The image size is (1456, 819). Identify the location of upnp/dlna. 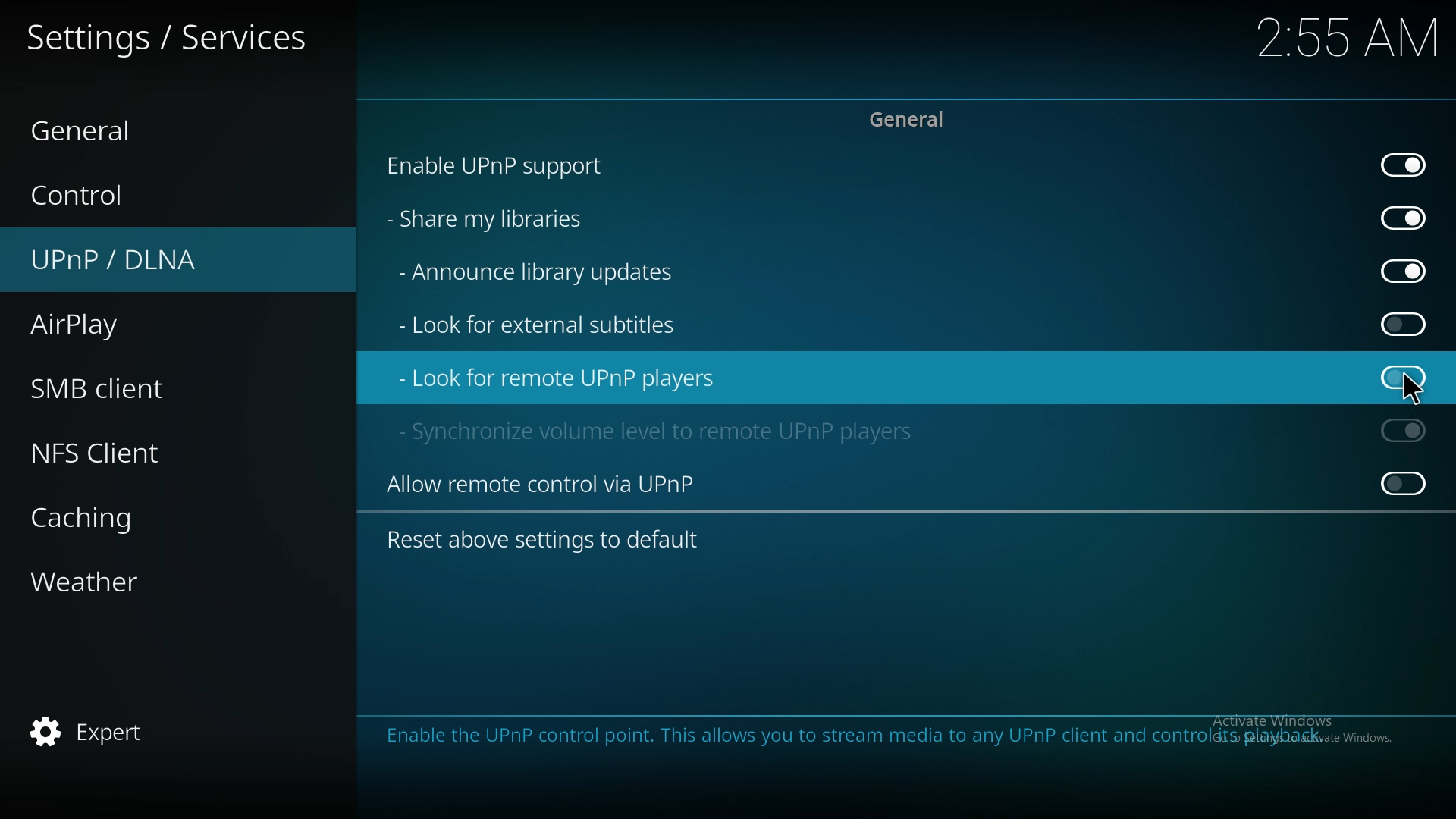
(141, 260).